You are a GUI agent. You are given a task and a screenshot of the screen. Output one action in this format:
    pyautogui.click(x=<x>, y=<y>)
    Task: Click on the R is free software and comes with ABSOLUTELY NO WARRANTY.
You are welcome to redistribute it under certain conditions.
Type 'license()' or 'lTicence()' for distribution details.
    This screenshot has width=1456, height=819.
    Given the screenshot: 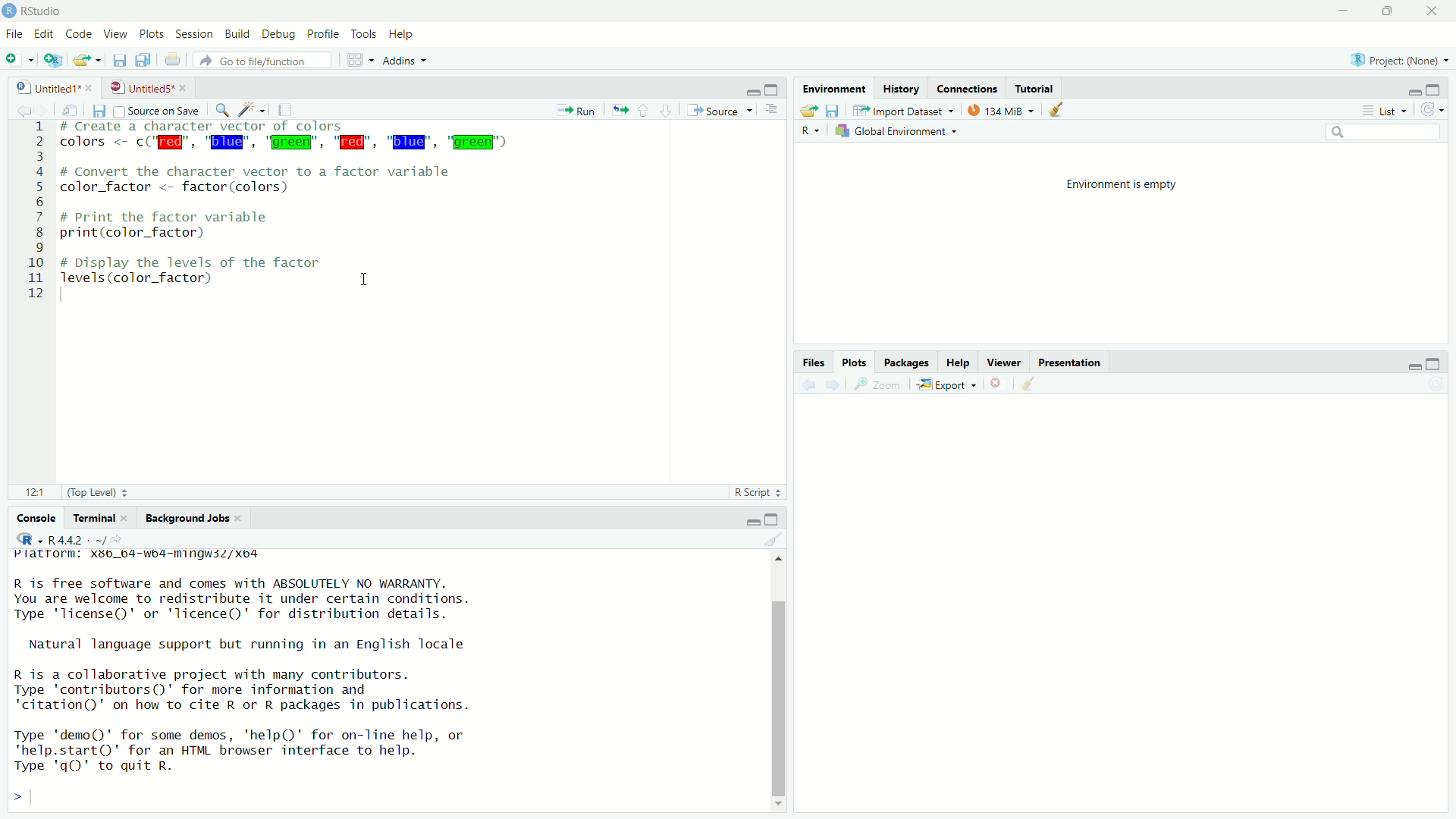 What is the action you would take?
    pyautogui.click(x=309, y=598)
    